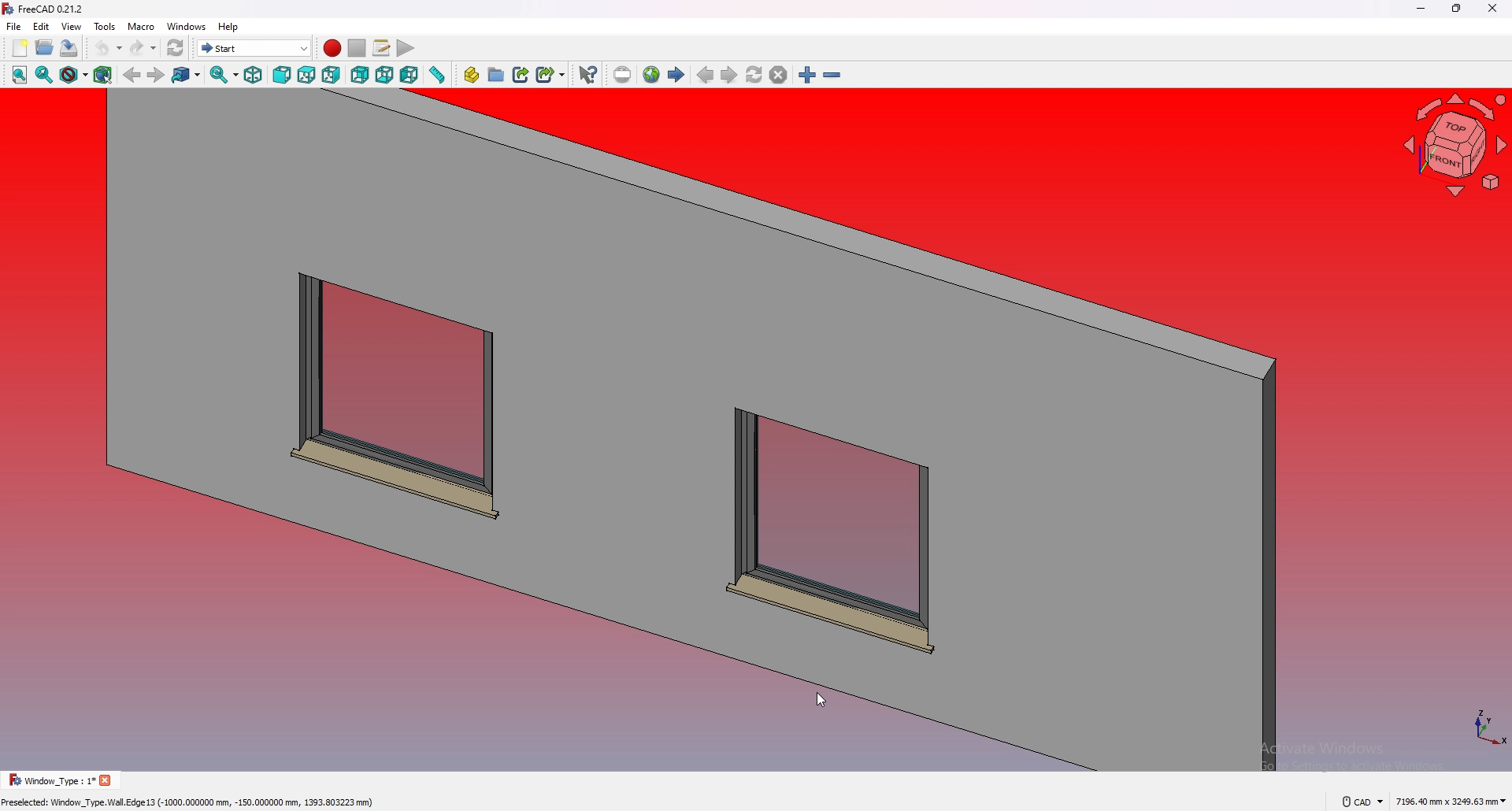  Describe the element at coordinates (551, 73) in the screenshot. I see `make sub link` at that location.